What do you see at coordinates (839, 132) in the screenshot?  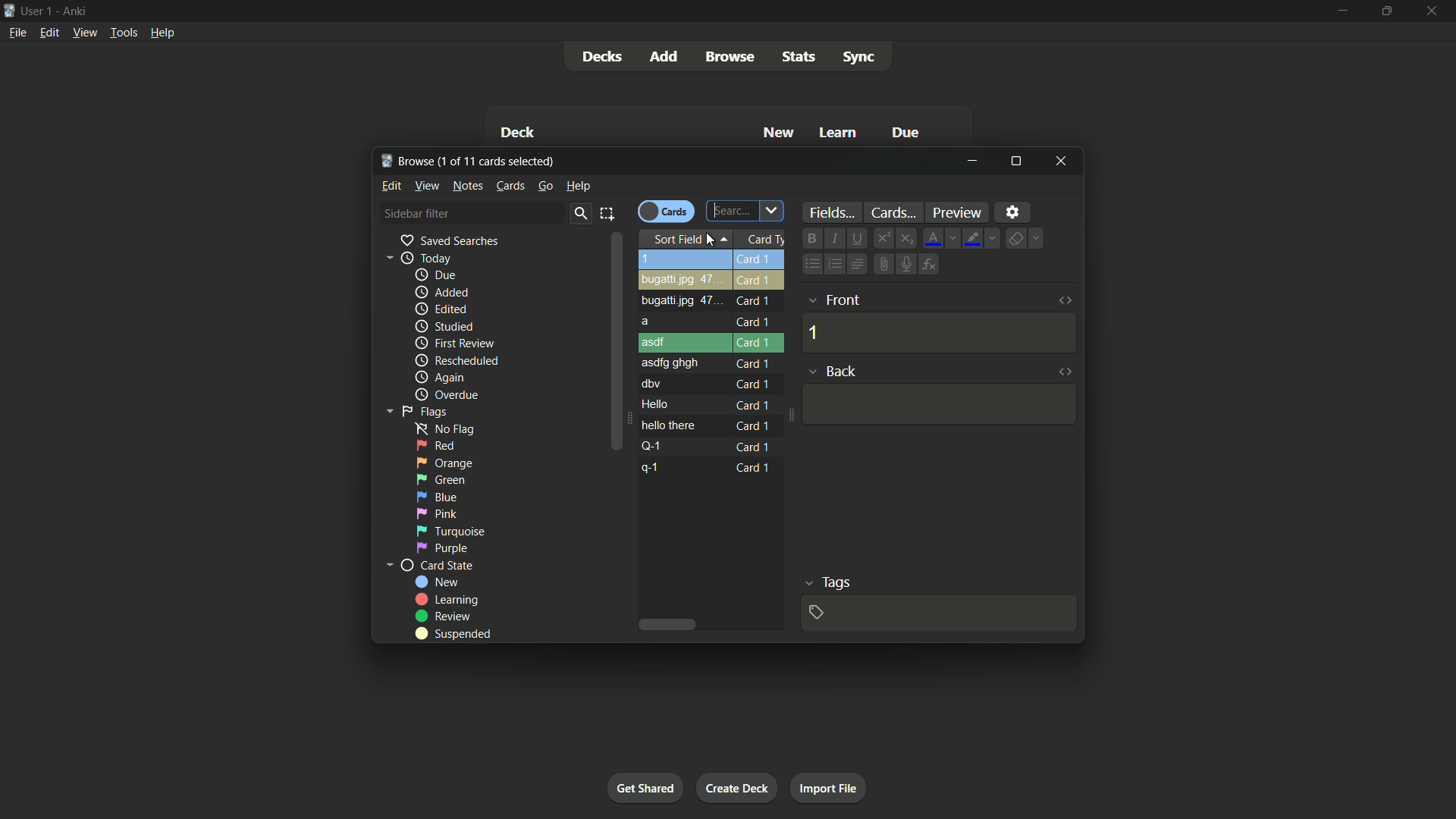 I see `learn` at bounding box center [839, 132].